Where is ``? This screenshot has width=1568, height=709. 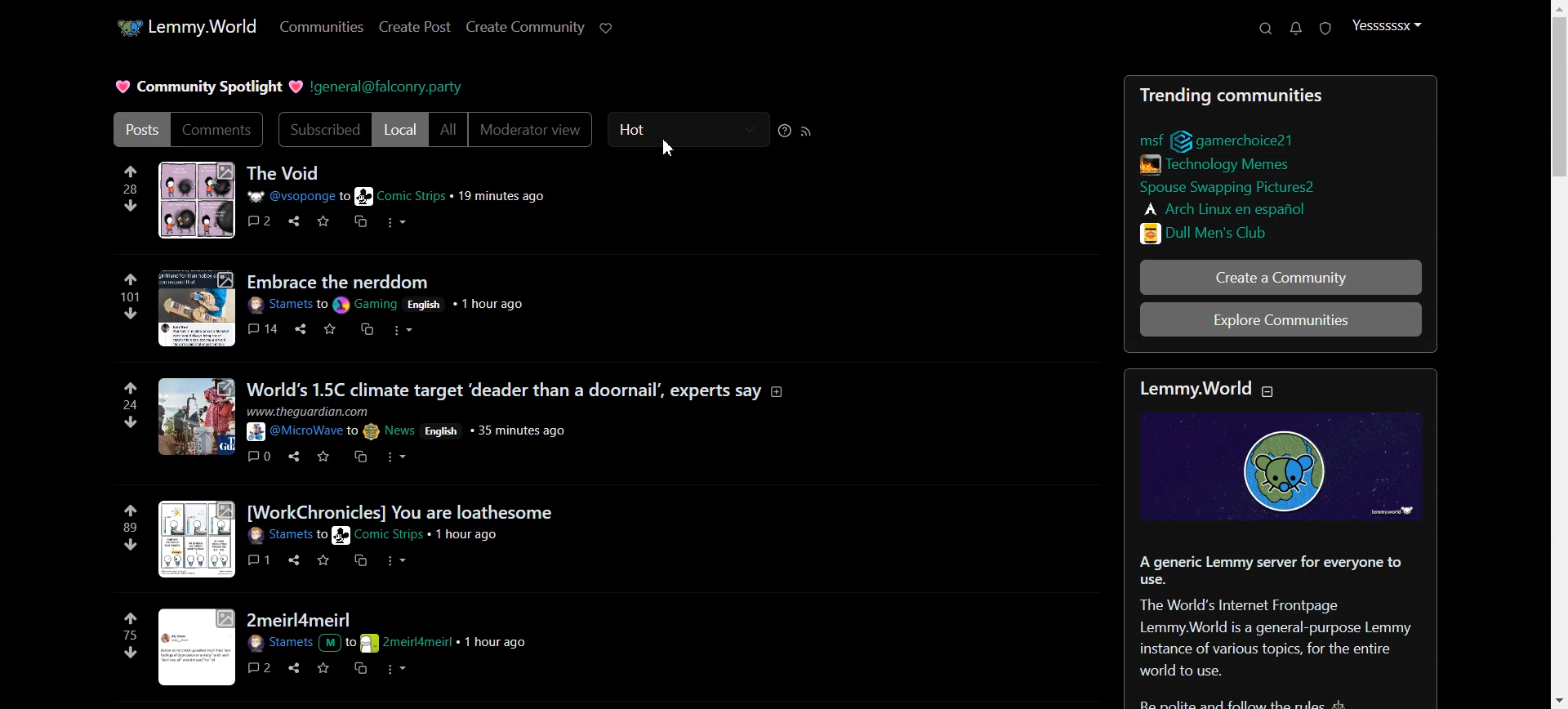
 is located at coordinates (197, 647).